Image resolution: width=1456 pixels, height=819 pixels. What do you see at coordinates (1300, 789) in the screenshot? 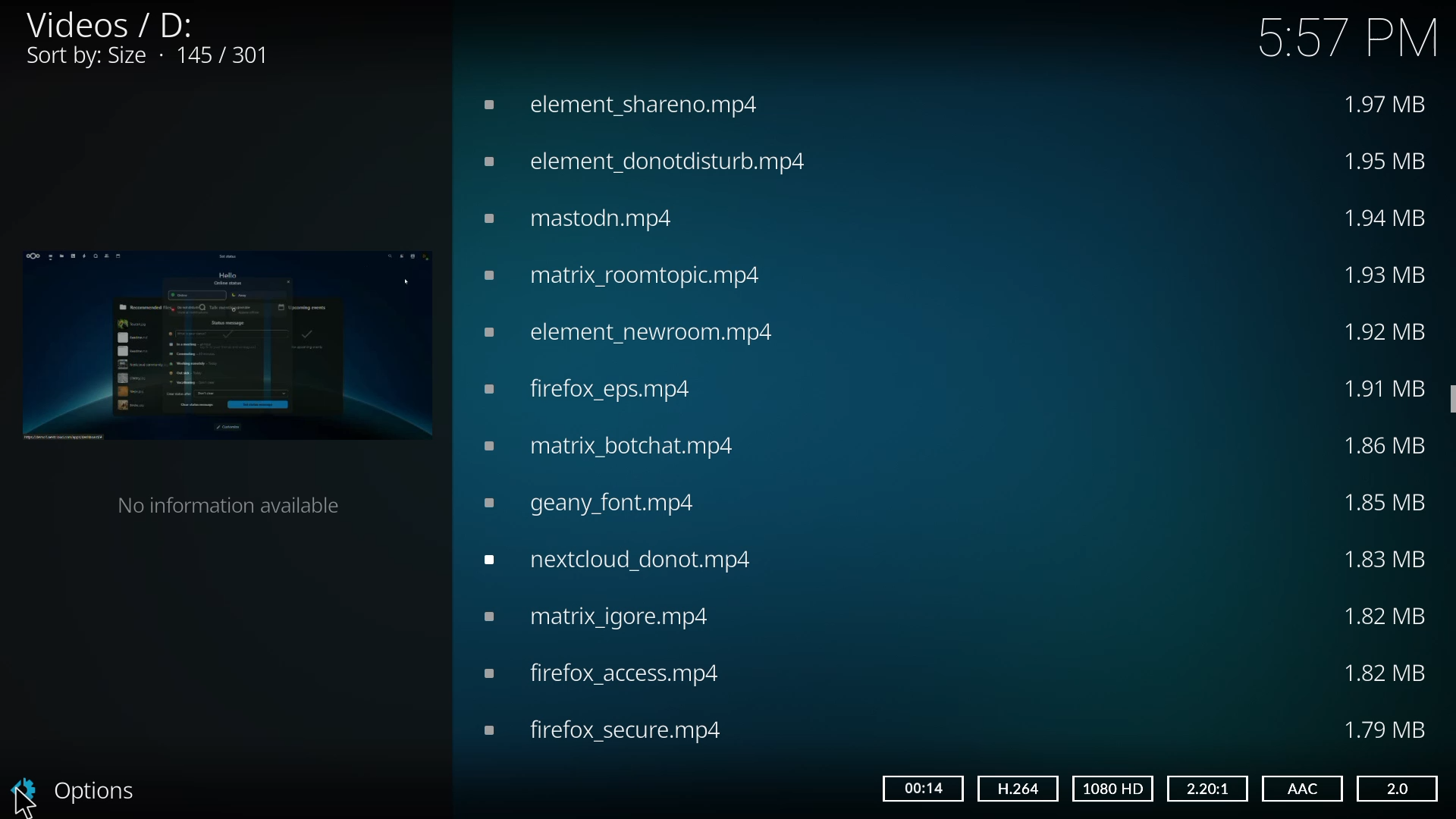
I see `aac` at bounding box center [1300, 789].